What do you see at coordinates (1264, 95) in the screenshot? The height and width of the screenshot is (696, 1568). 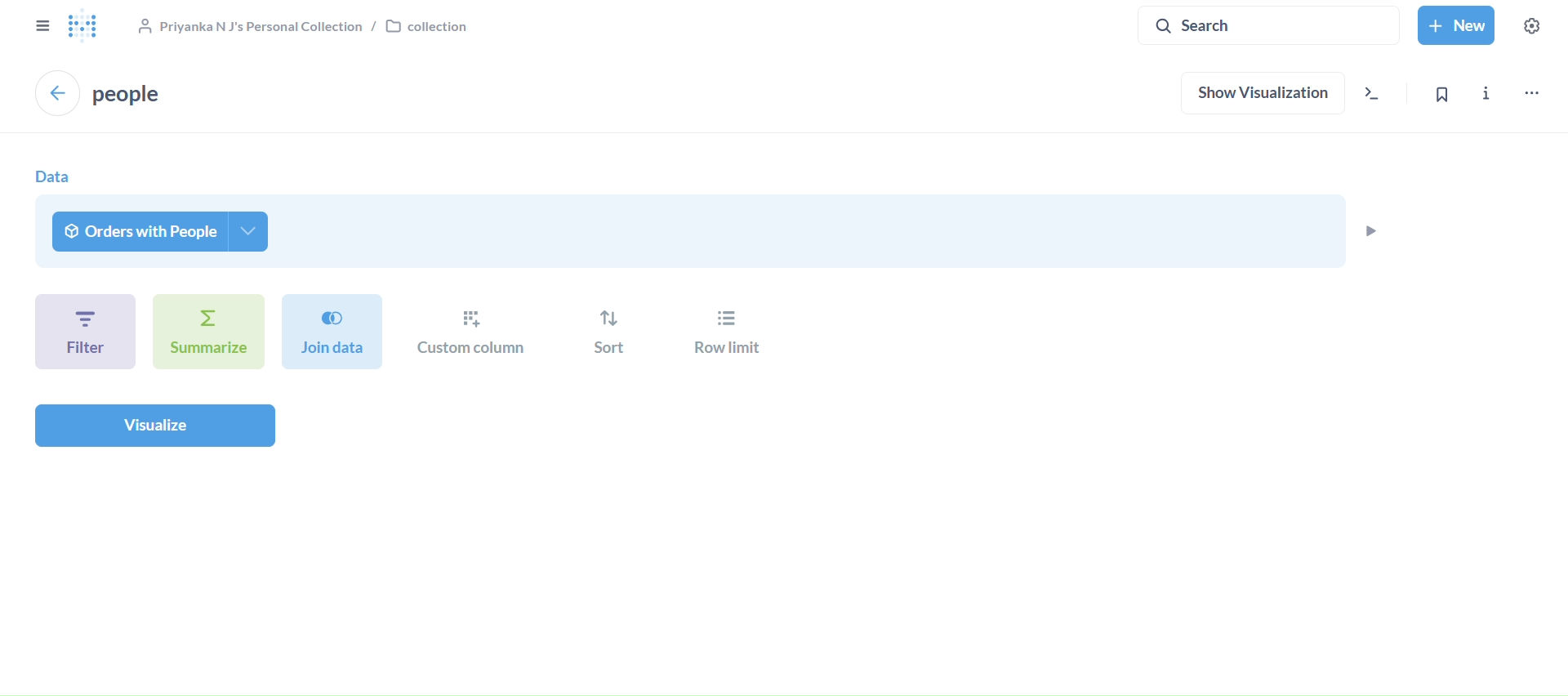 I see `show visualization` at bounding box center [1264, 95].